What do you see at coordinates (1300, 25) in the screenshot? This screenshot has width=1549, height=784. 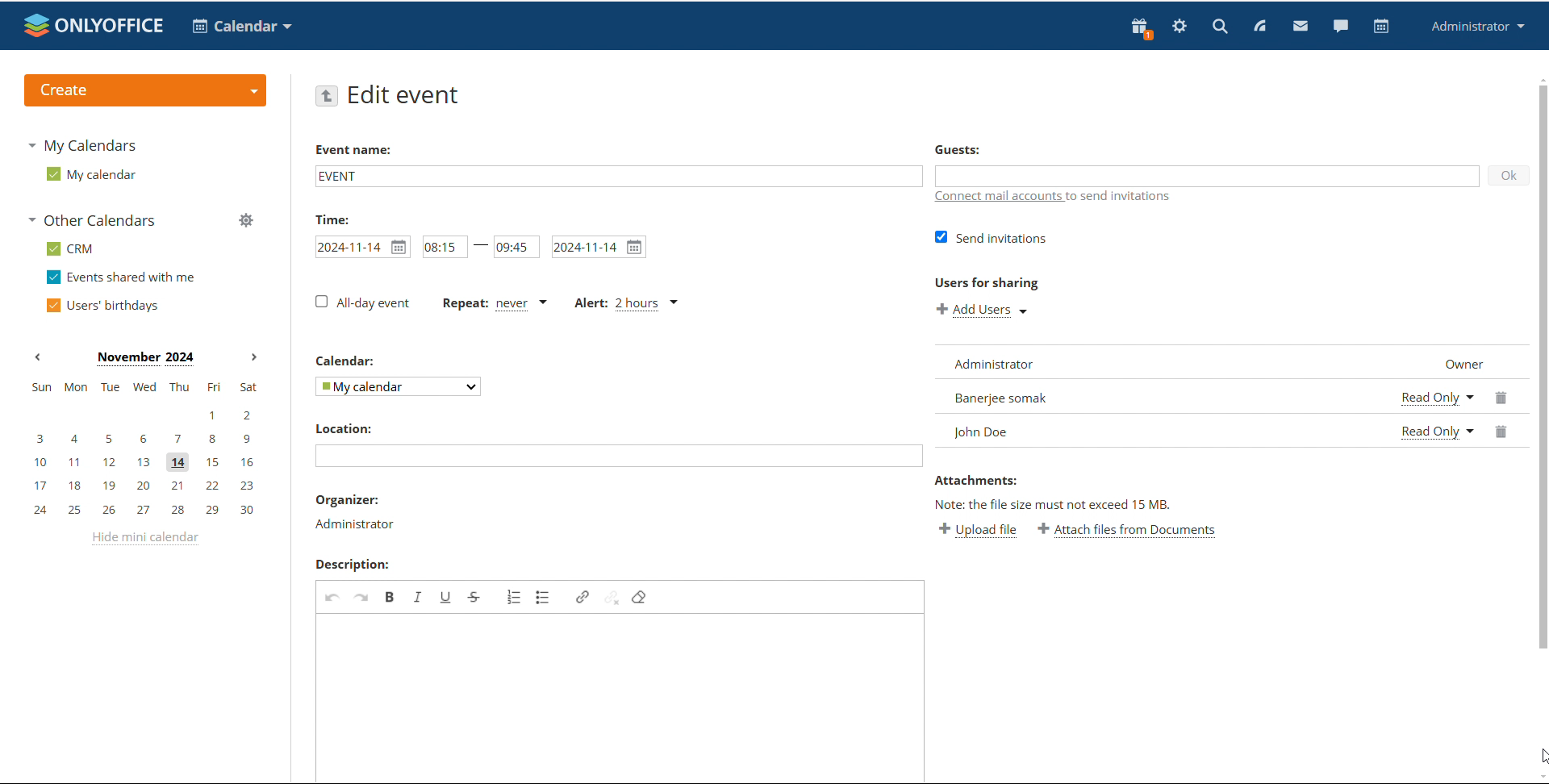 I see `mail` at bounding box center [1300, 25].